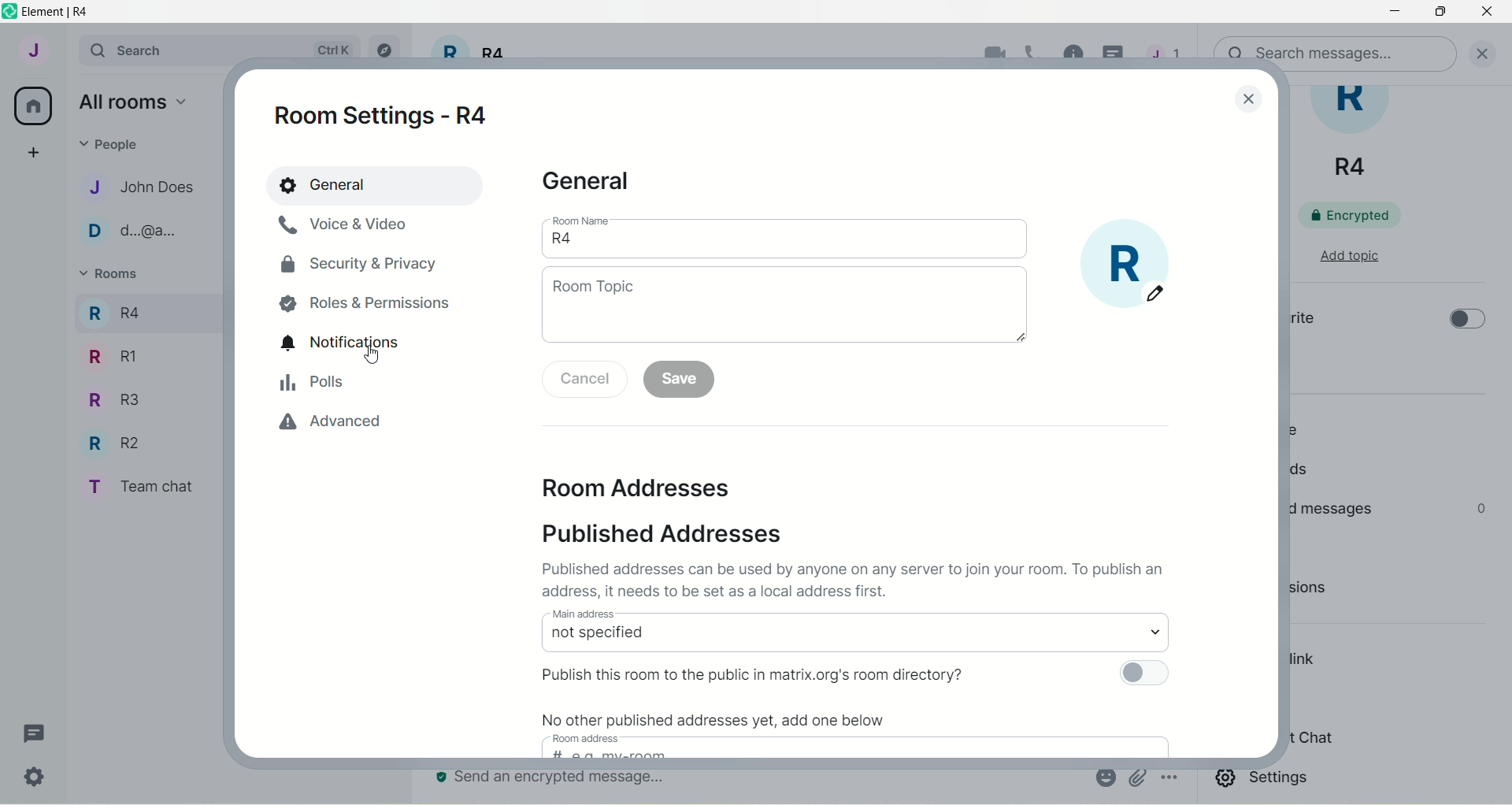  What do you see at coordinates (1298, 429) in the screenshot?
I see `people` at bounding box center [1298, 429].